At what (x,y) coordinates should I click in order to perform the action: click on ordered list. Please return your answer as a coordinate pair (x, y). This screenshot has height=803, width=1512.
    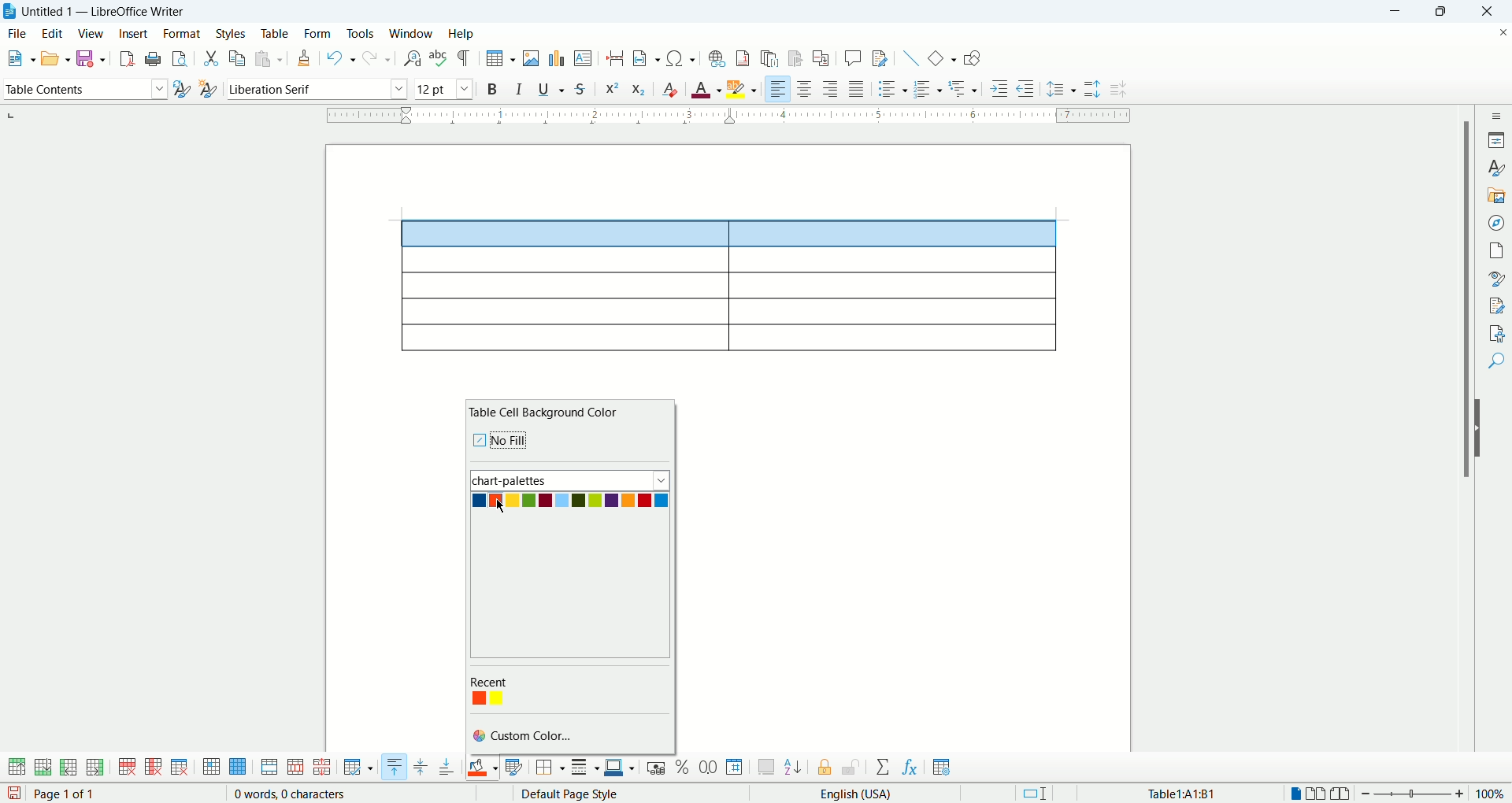
    Looking at the image, I should click on (926, 88).